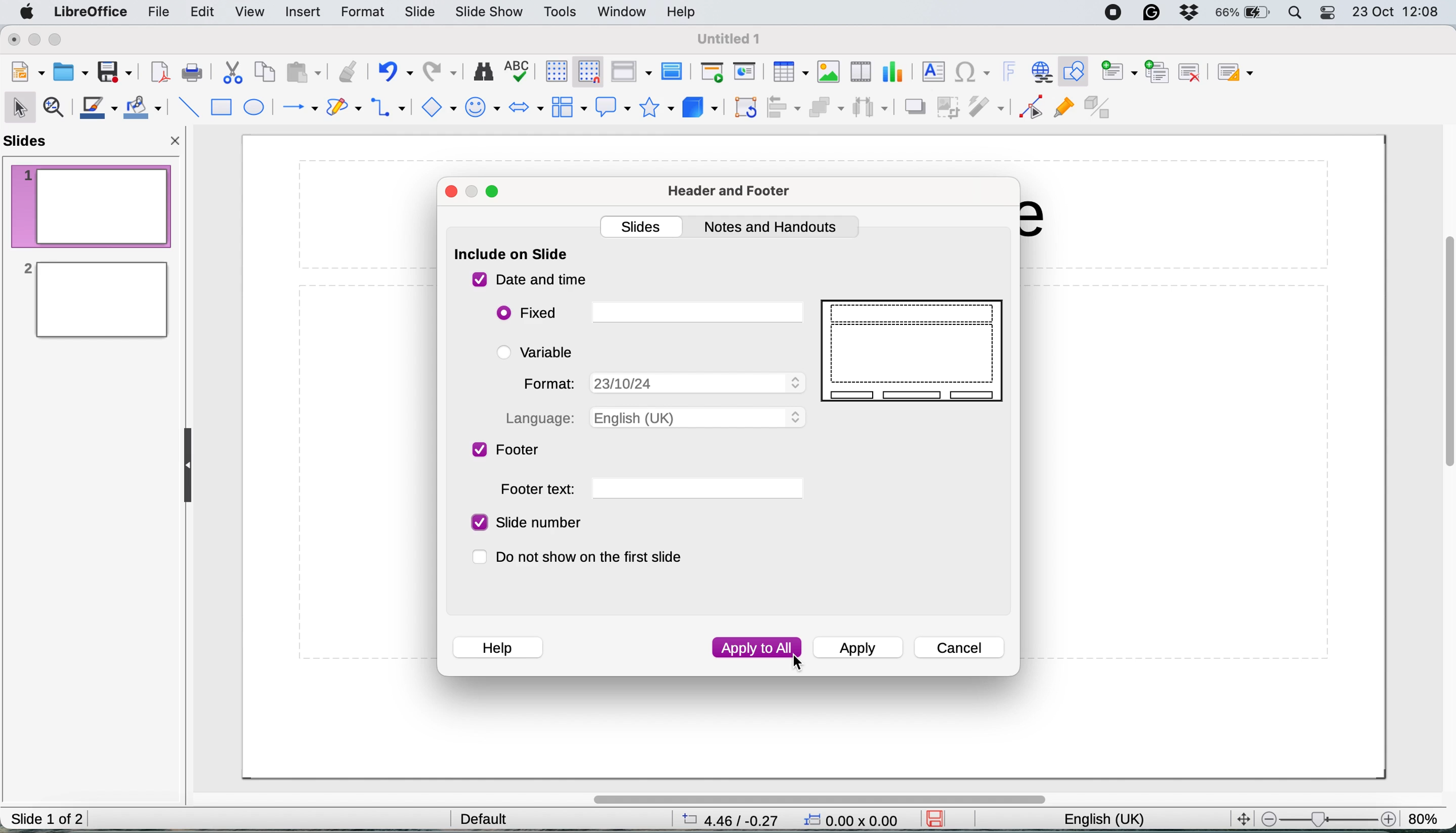  What do you see at coordinates (973, 73) in the screenshot?
I see `insert special character` at bounding box center [973, 73].